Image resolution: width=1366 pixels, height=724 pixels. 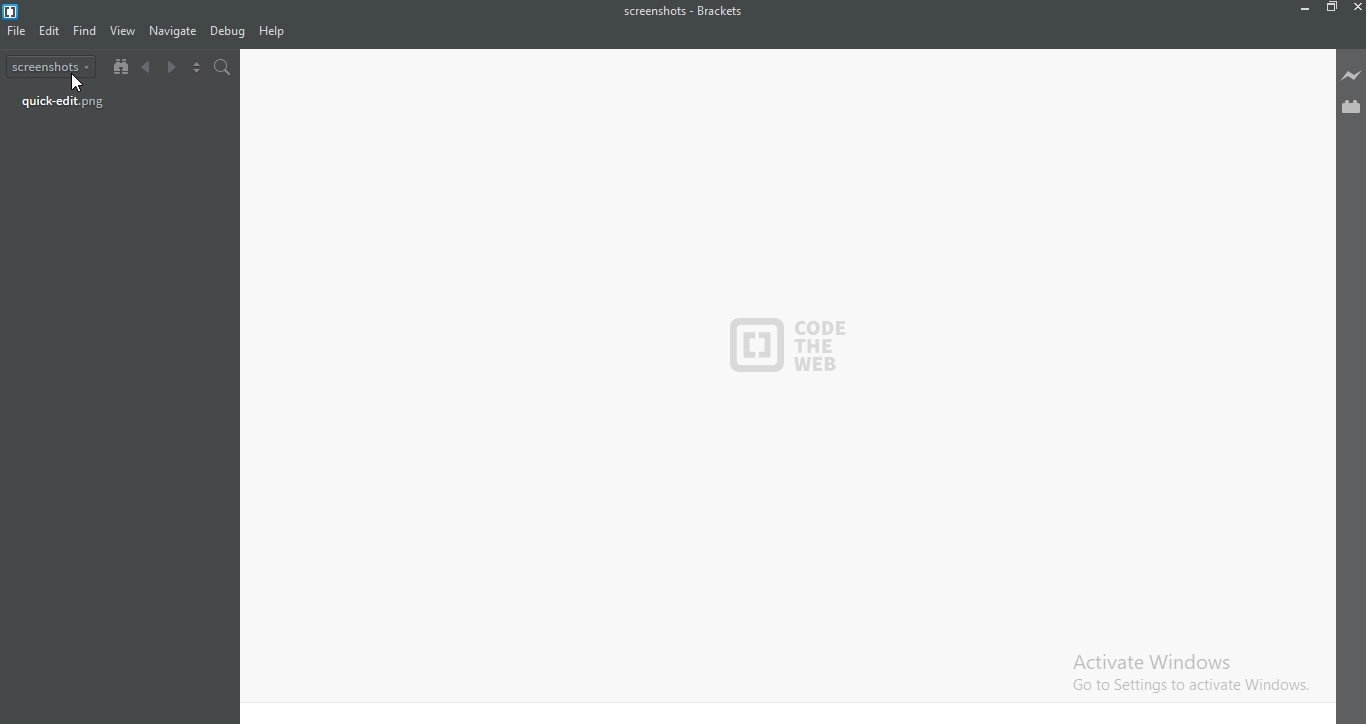 What do you see at coordinates (124, 31) in the screenshot?
I see `view` at bounding box center [124, 31].